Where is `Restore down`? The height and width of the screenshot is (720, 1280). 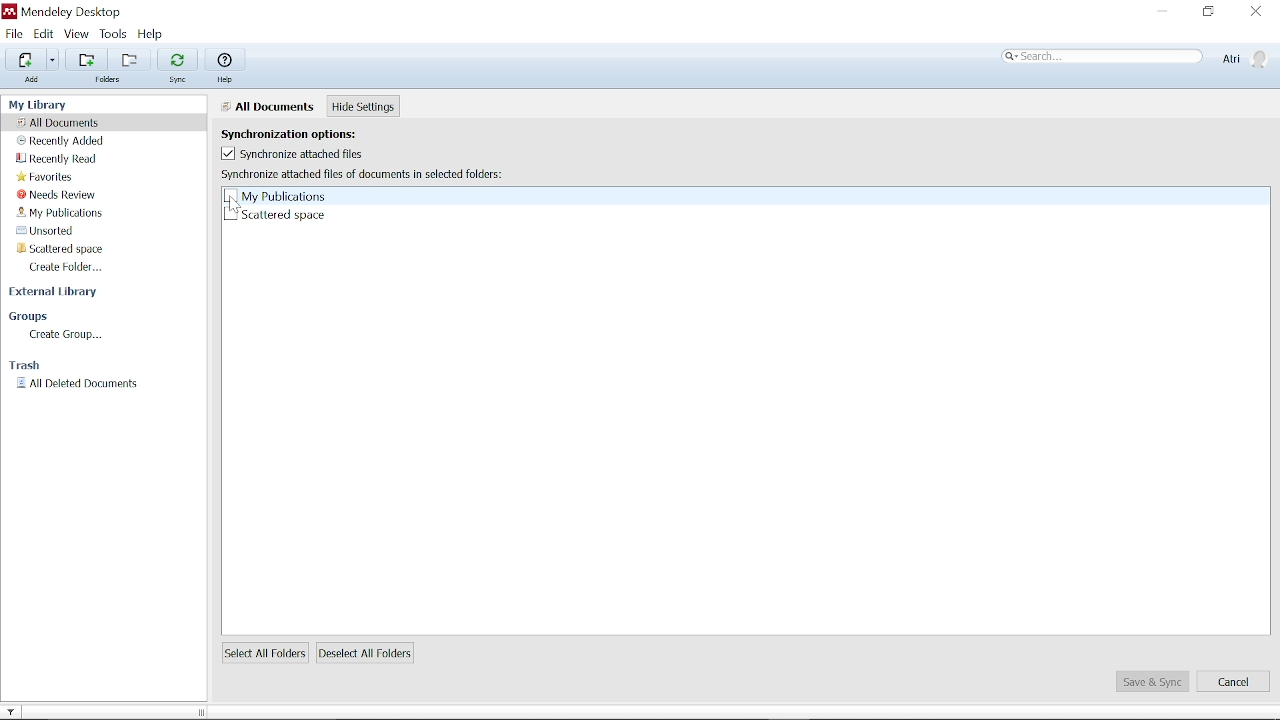
Restore down is located at coordinates (1209, 12).